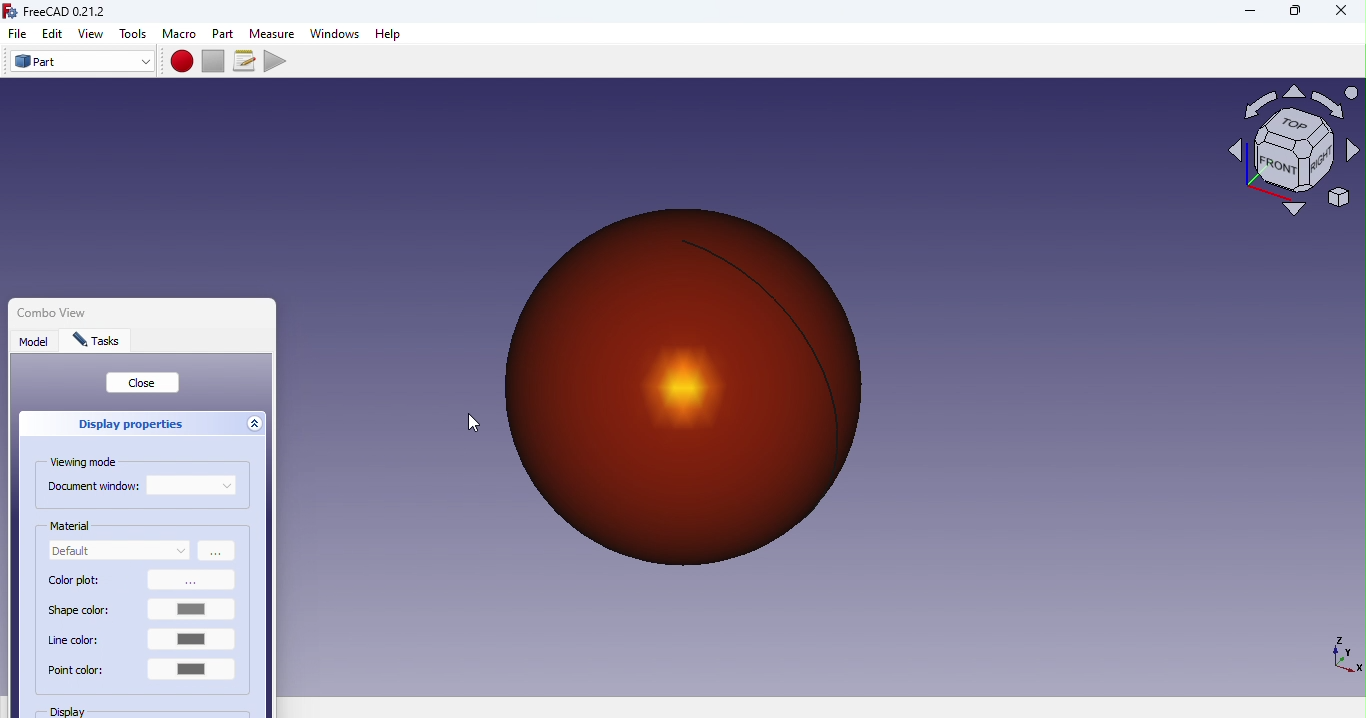 Image resolution: width=1366 pixels, height=718 pixels. I want to click on Help, so click(393, 34).